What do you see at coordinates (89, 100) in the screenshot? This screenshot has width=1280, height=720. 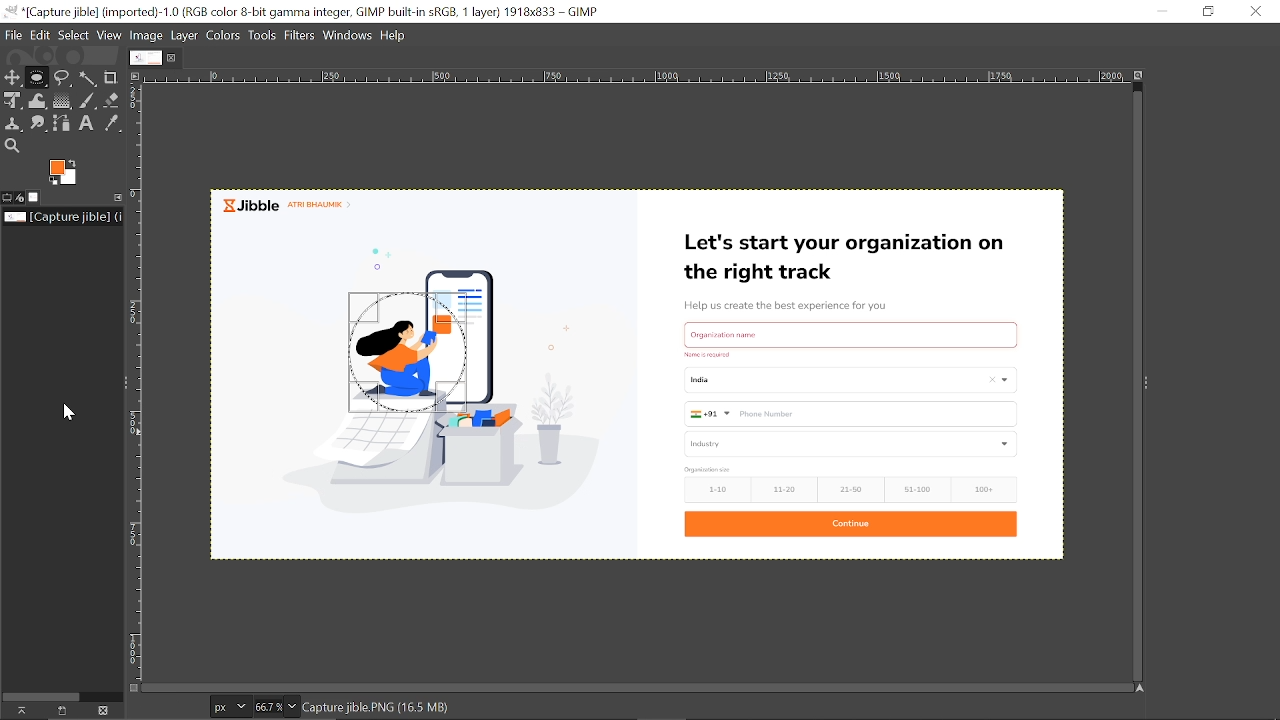 I see `Paintbrush tool` at bounding box center [89, 100].